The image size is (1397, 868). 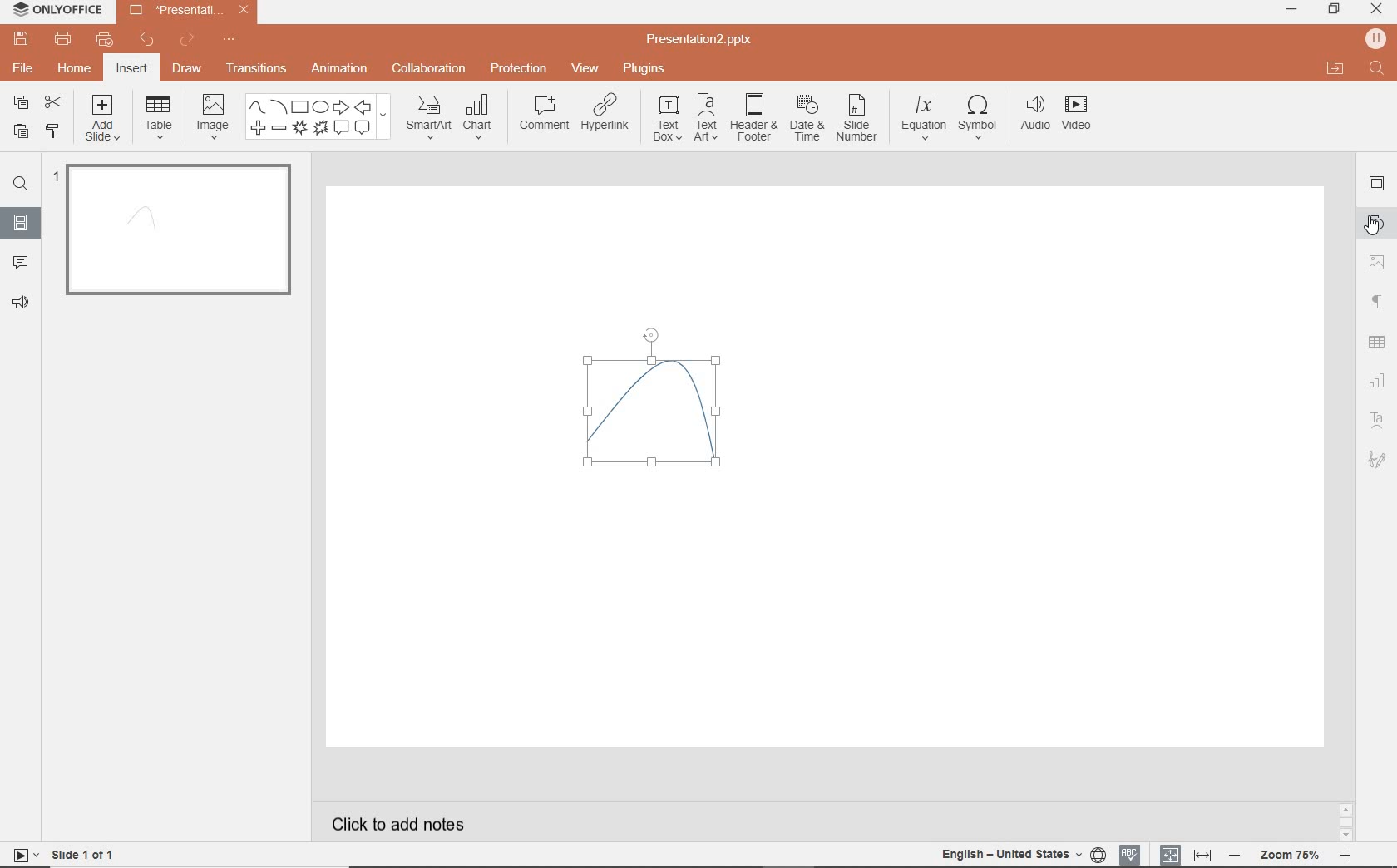 What do you see at coordinates (403, 824) in the screenshot?
I see `CLICK TO ADD NOTES` at bounding box center [403, 824].